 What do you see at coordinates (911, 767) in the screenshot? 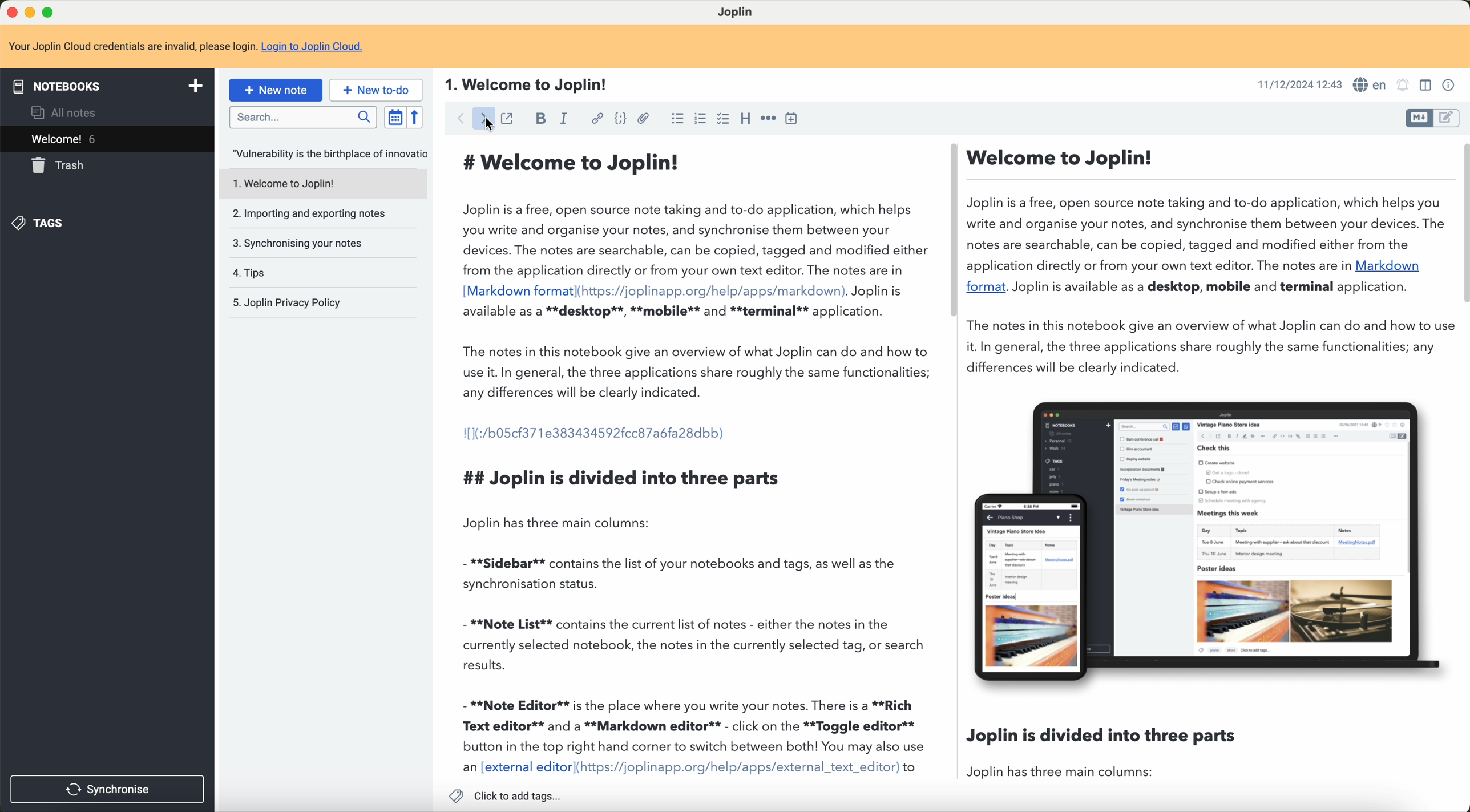
I see `to` at bounding box center [911, 767].